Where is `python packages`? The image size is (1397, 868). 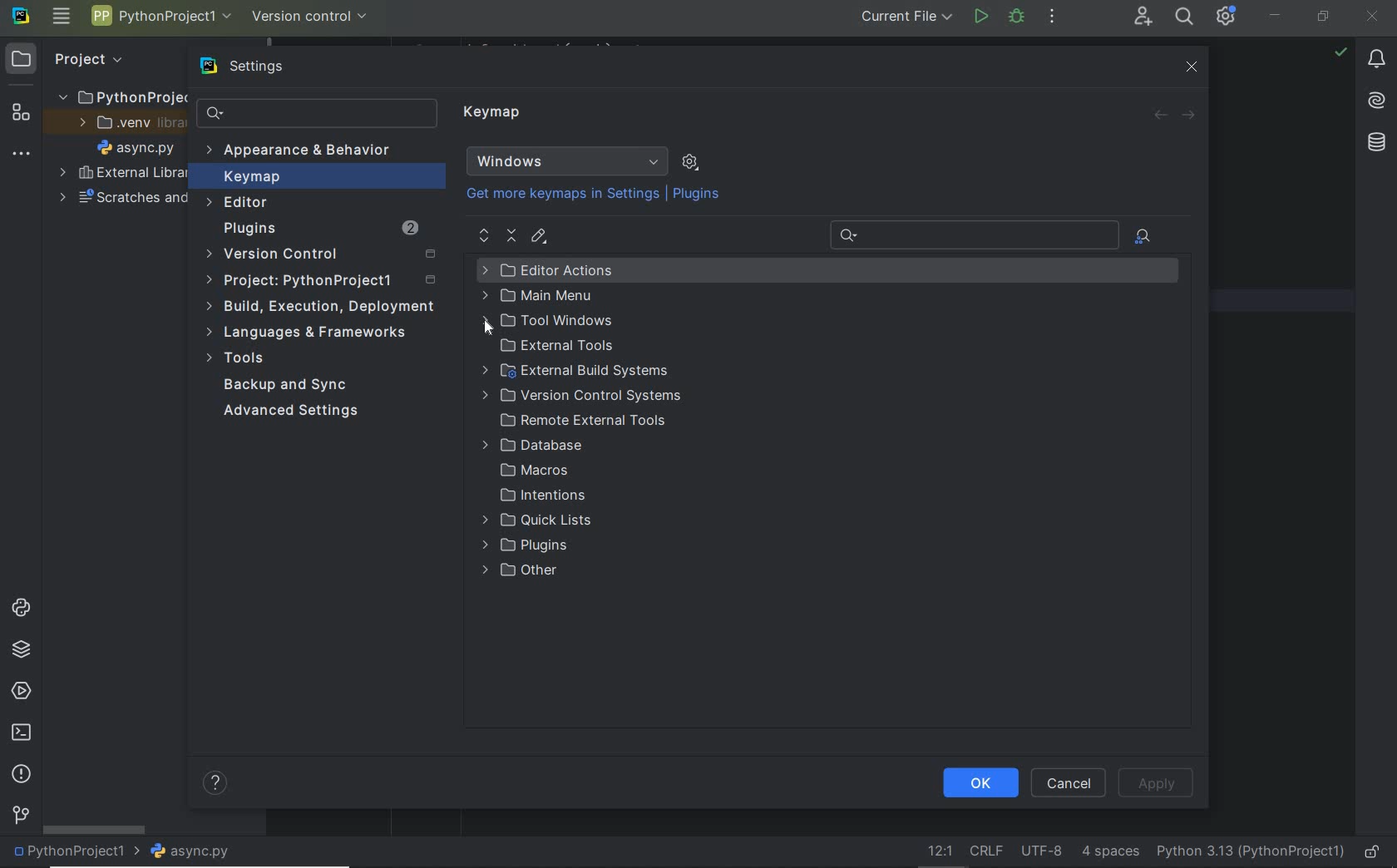 python packages is located at coordinates (20, 650).